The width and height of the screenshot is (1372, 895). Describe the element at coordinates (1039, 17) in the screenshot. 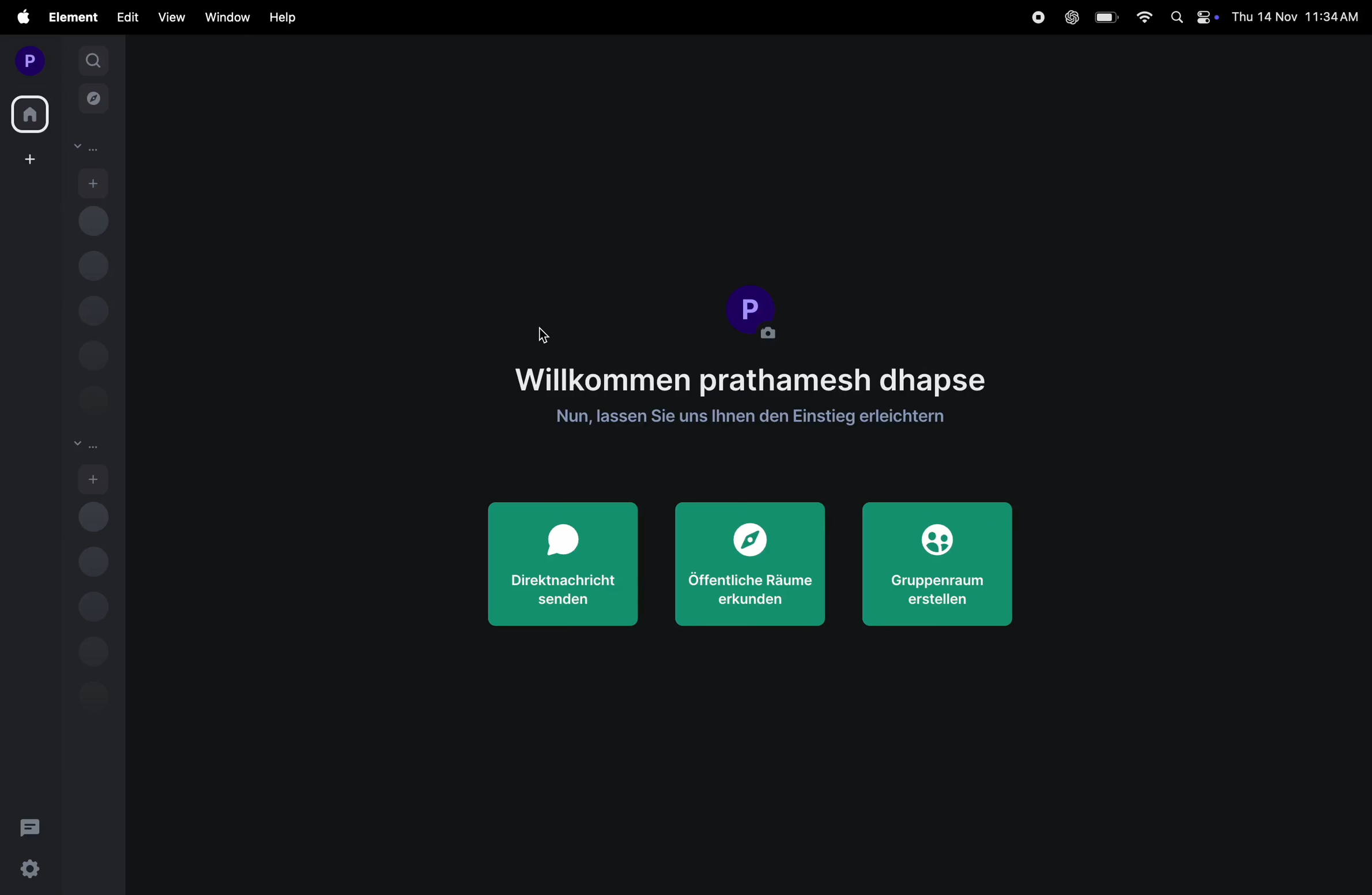

I see `record` at that location.